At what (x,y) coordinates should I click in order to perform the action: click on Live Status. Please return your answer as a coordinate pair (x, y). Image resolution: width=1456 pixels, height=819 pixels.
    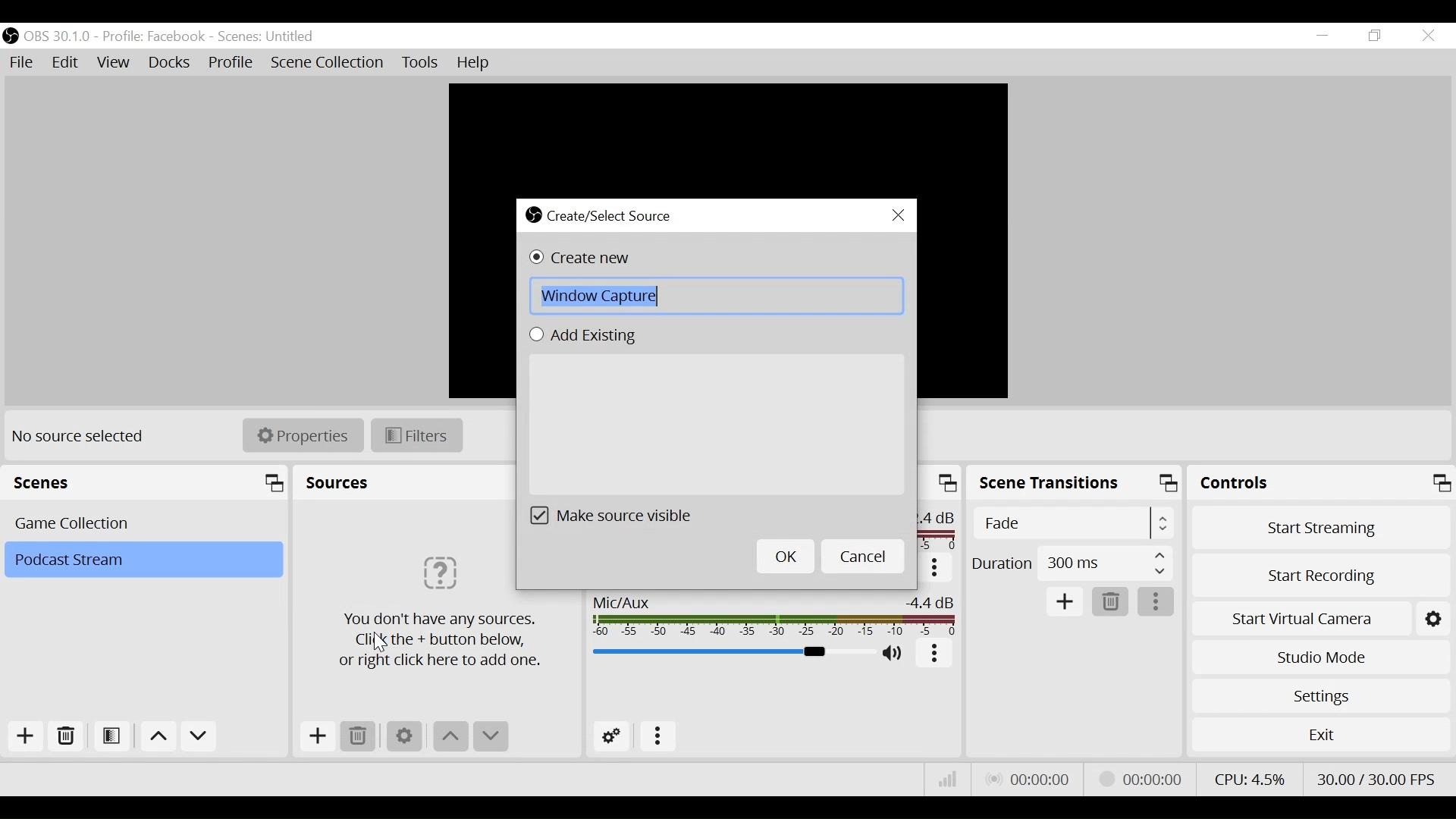
    Looking at the image, I should click on (1027, 779).